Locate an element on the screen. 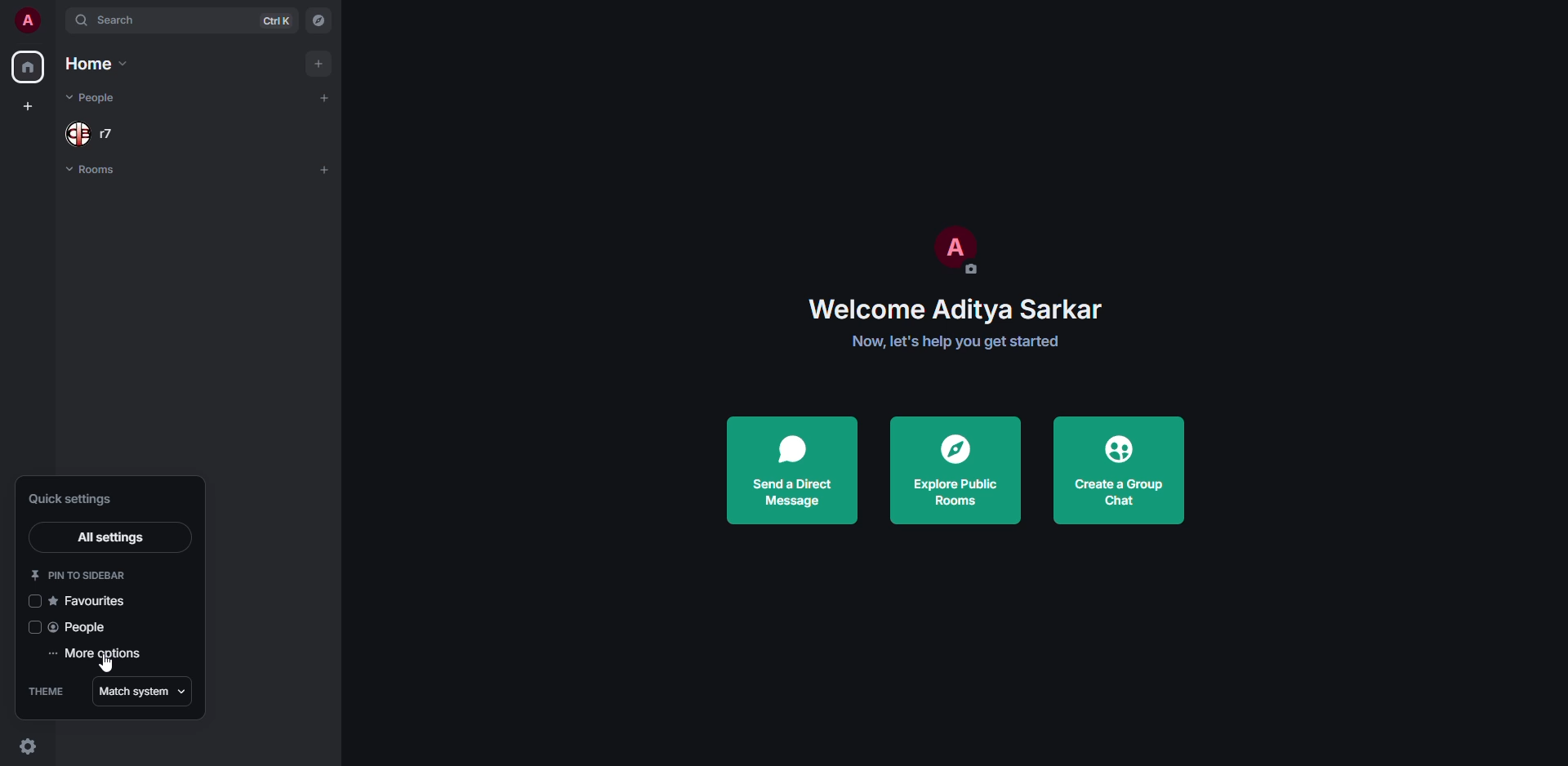  add is located at coordinates (328, 97).